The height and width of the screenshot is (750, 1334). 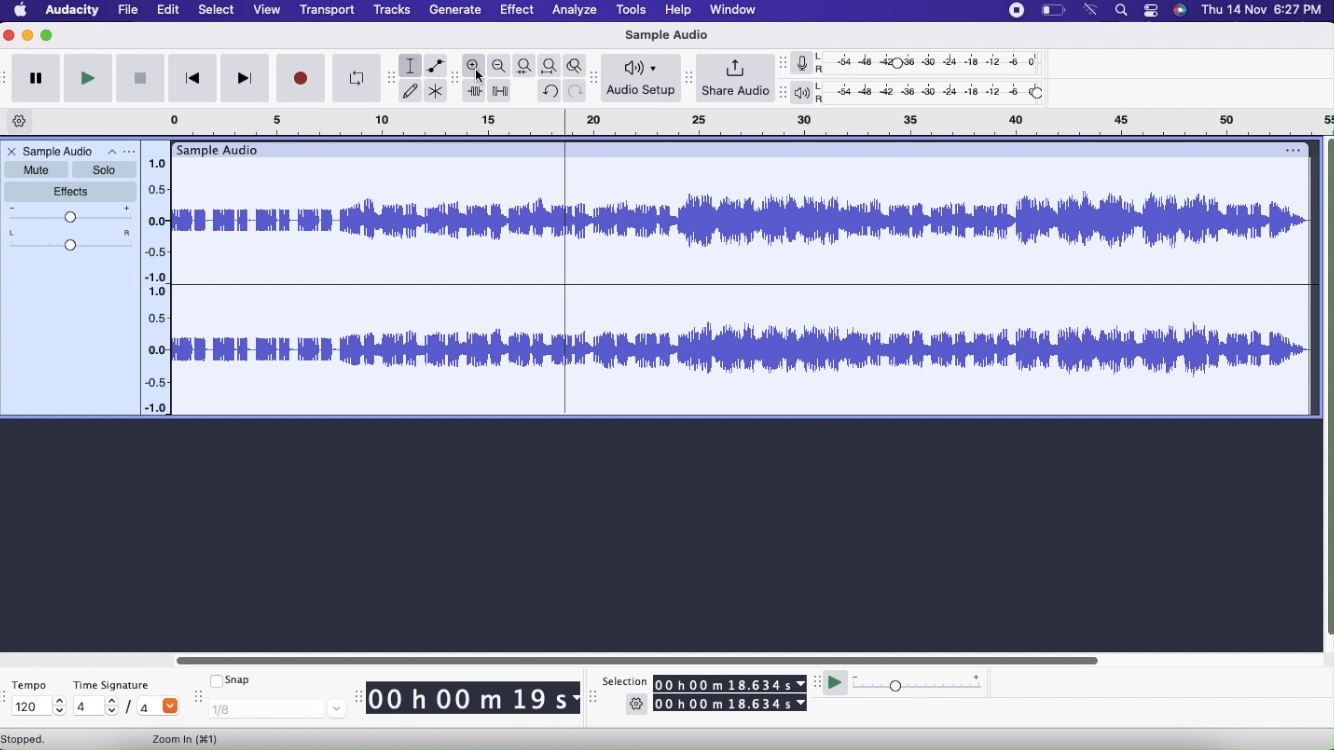 I want to click on Pan: Center, so click(x=71, y=242).